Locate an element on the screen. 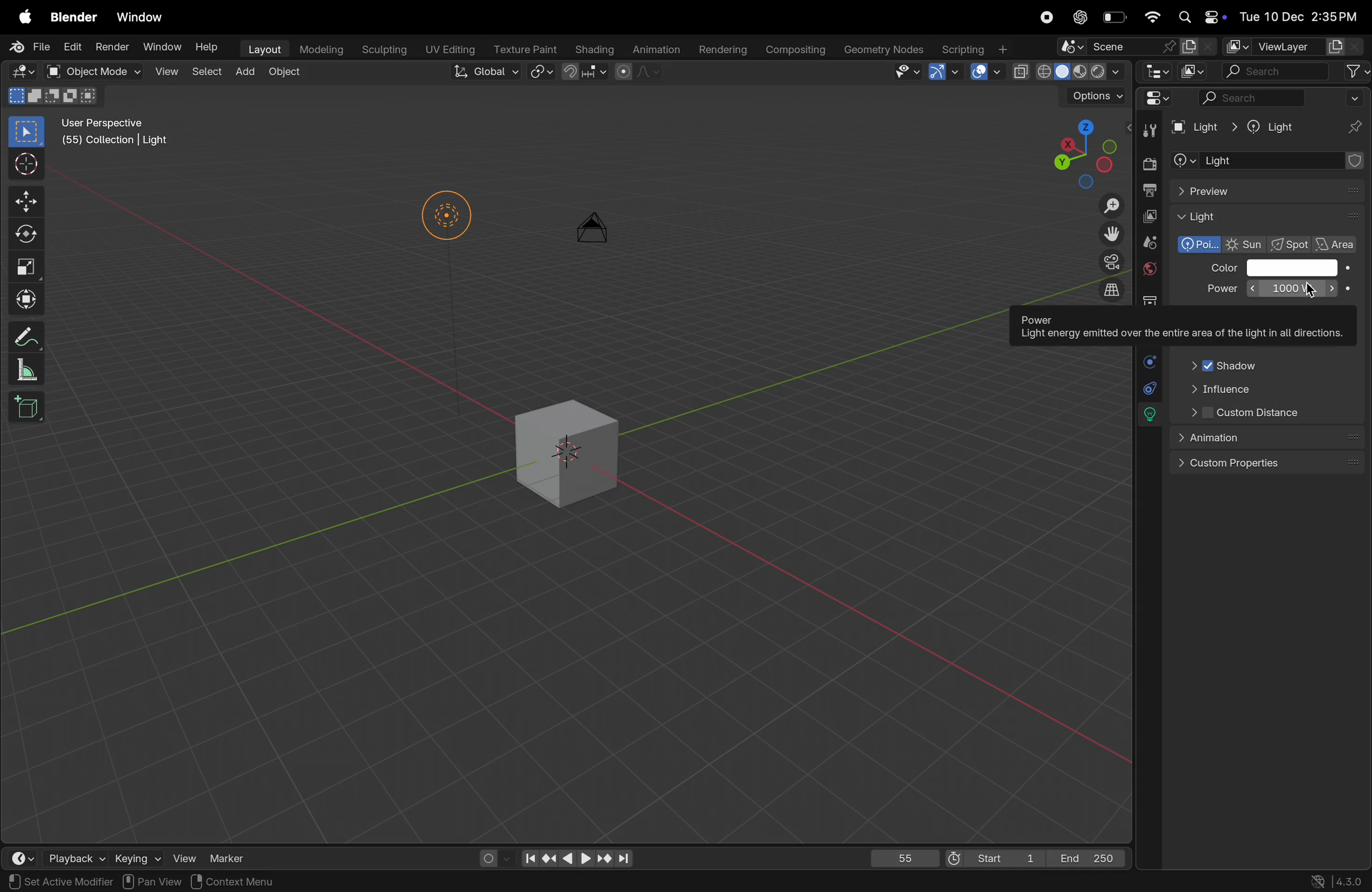  display mode is located at coordinates (1194, 72).